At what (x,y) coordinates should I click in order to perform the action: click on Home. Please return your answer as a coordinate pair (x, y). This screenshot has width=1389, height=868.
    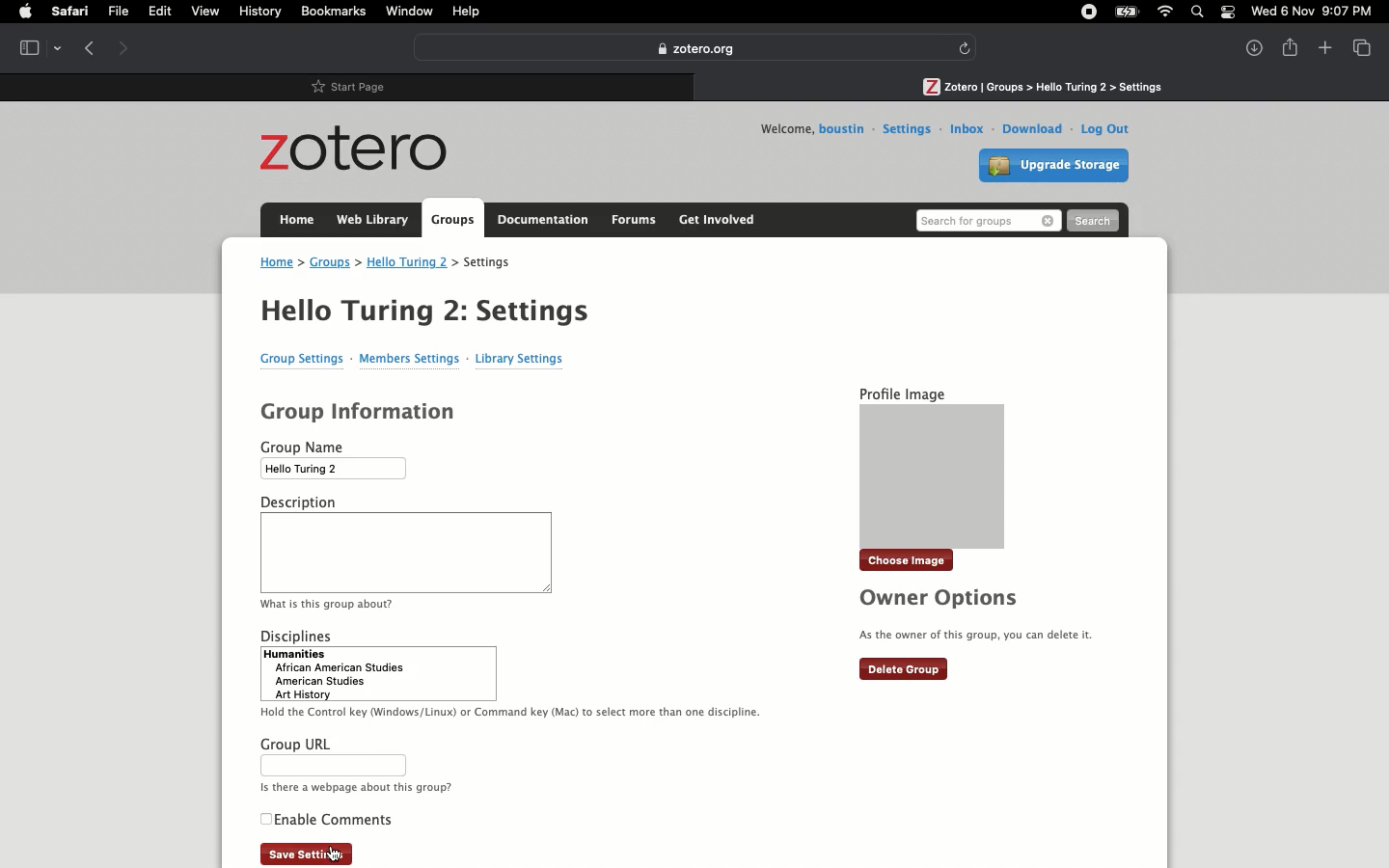
    Looking at the image, I should click on (292, 218).